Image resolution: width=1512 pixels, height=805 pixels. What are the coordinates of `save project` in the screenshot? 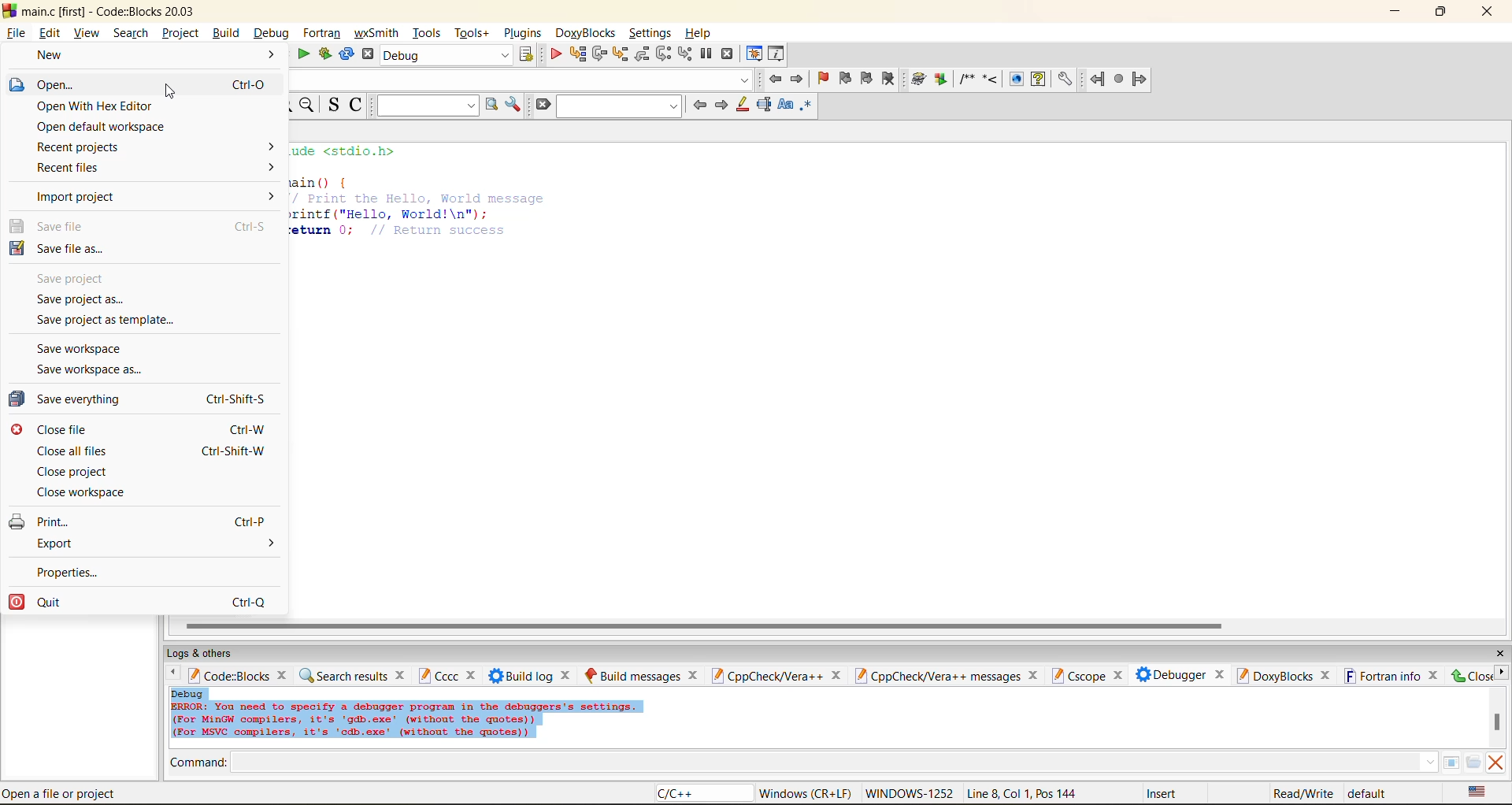 It's located at (82, 278).